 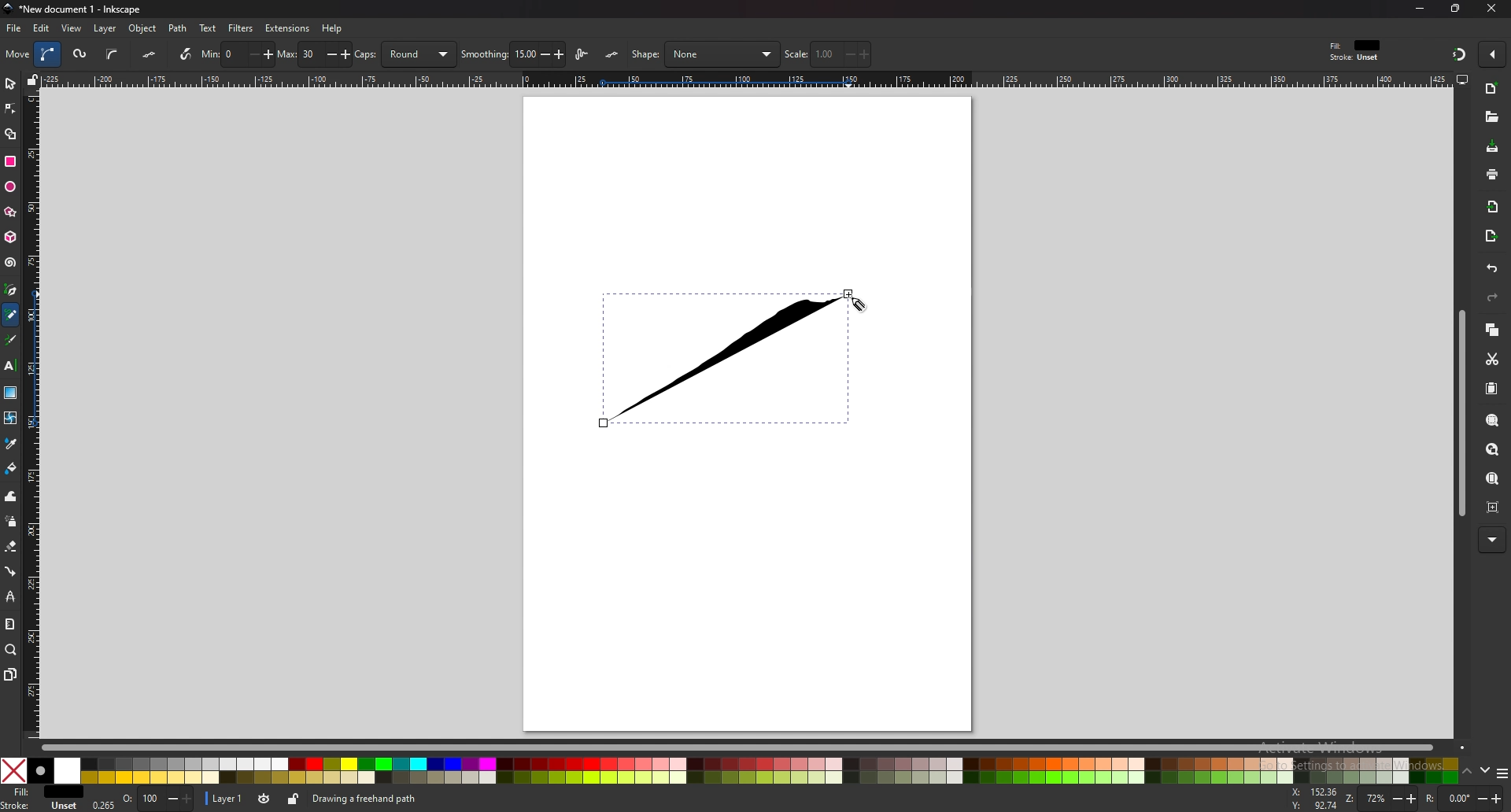 I want to click on Freehand path, so click(x=723, y=359).